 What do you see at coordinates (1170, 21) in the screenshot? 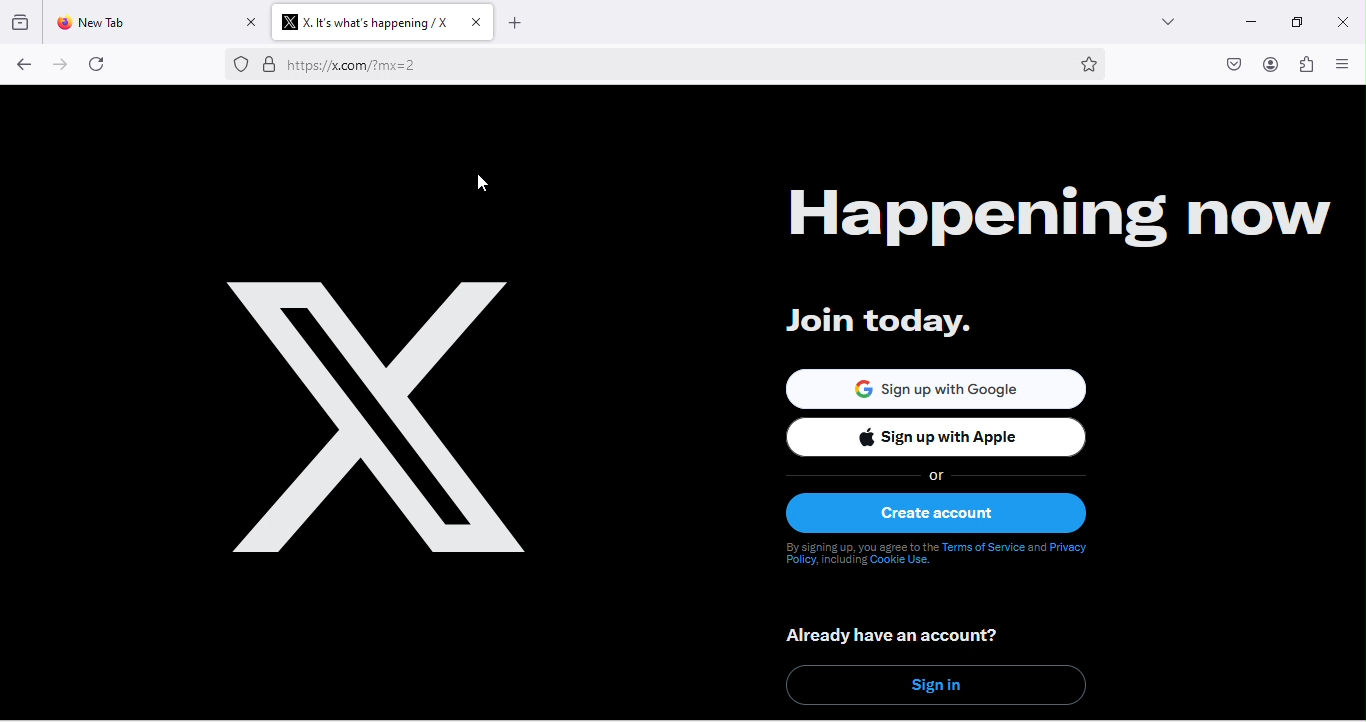
I see `drop down` at bounding box center [1170, 21].